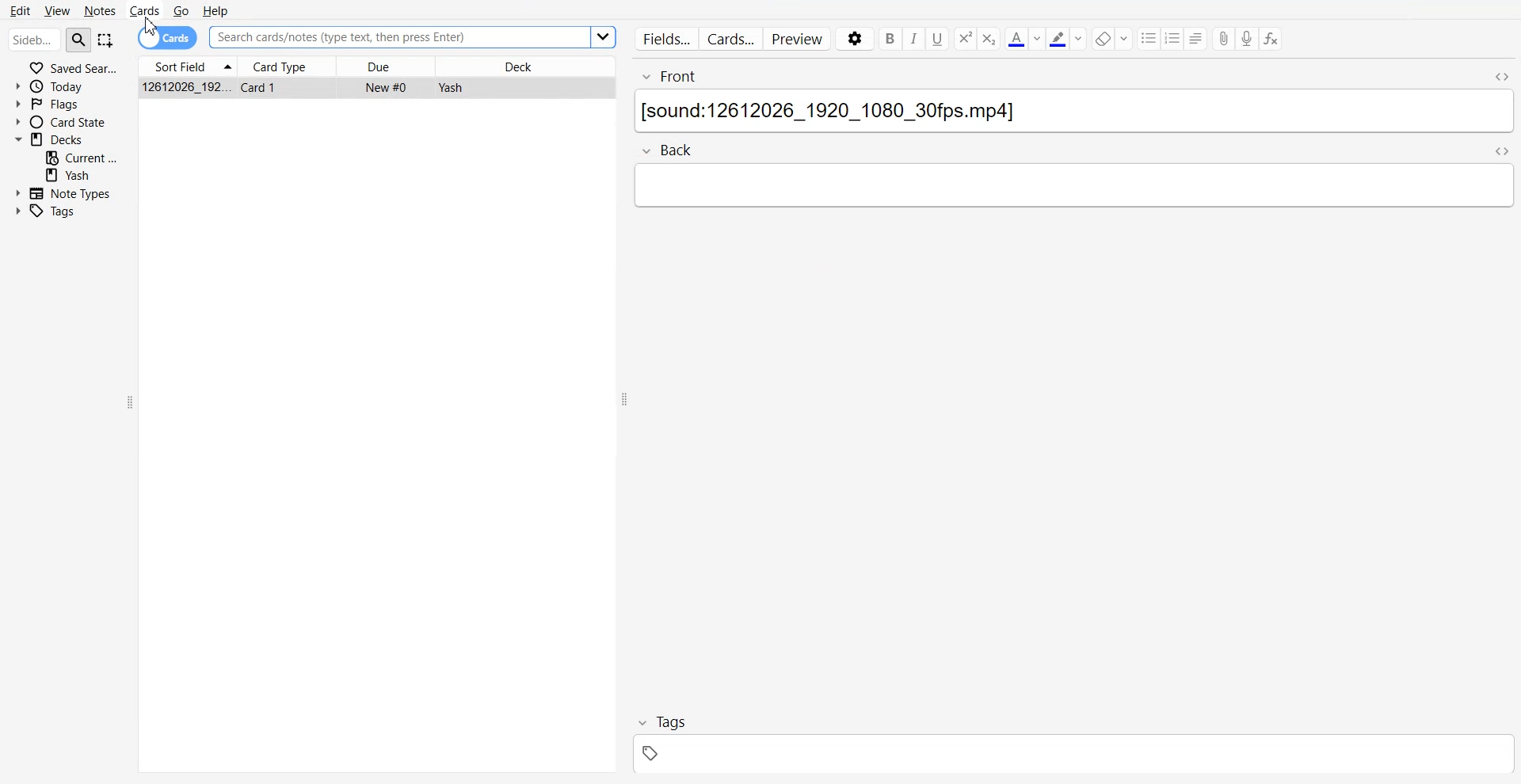  What do you see at coordinates (1197, 38) in the screenshot?
I see `Allignment` at bounding box center [1197, 38].